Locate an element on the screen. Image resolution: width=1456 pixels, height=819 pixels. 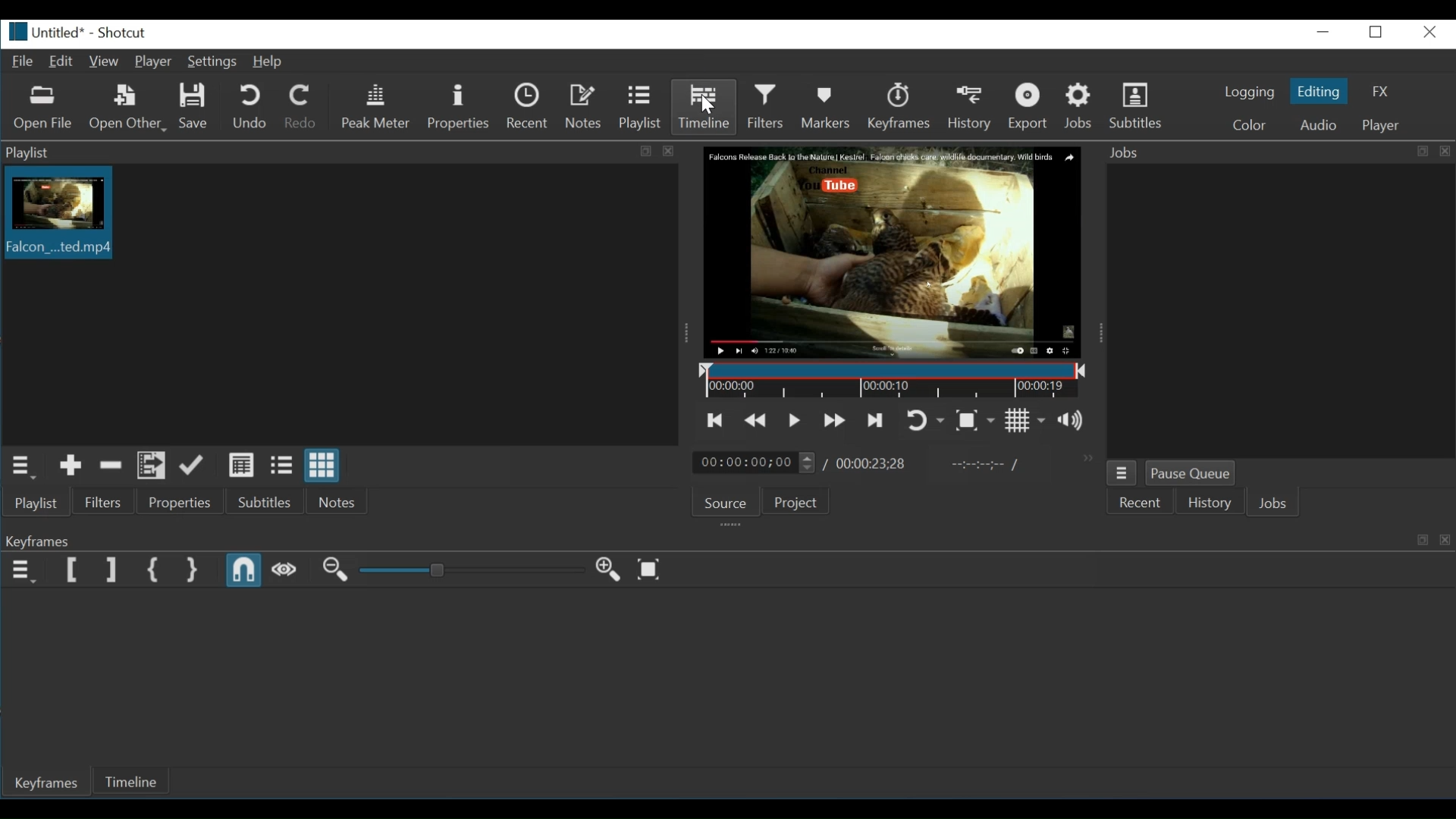
File name is located at coordinates (42, 32).